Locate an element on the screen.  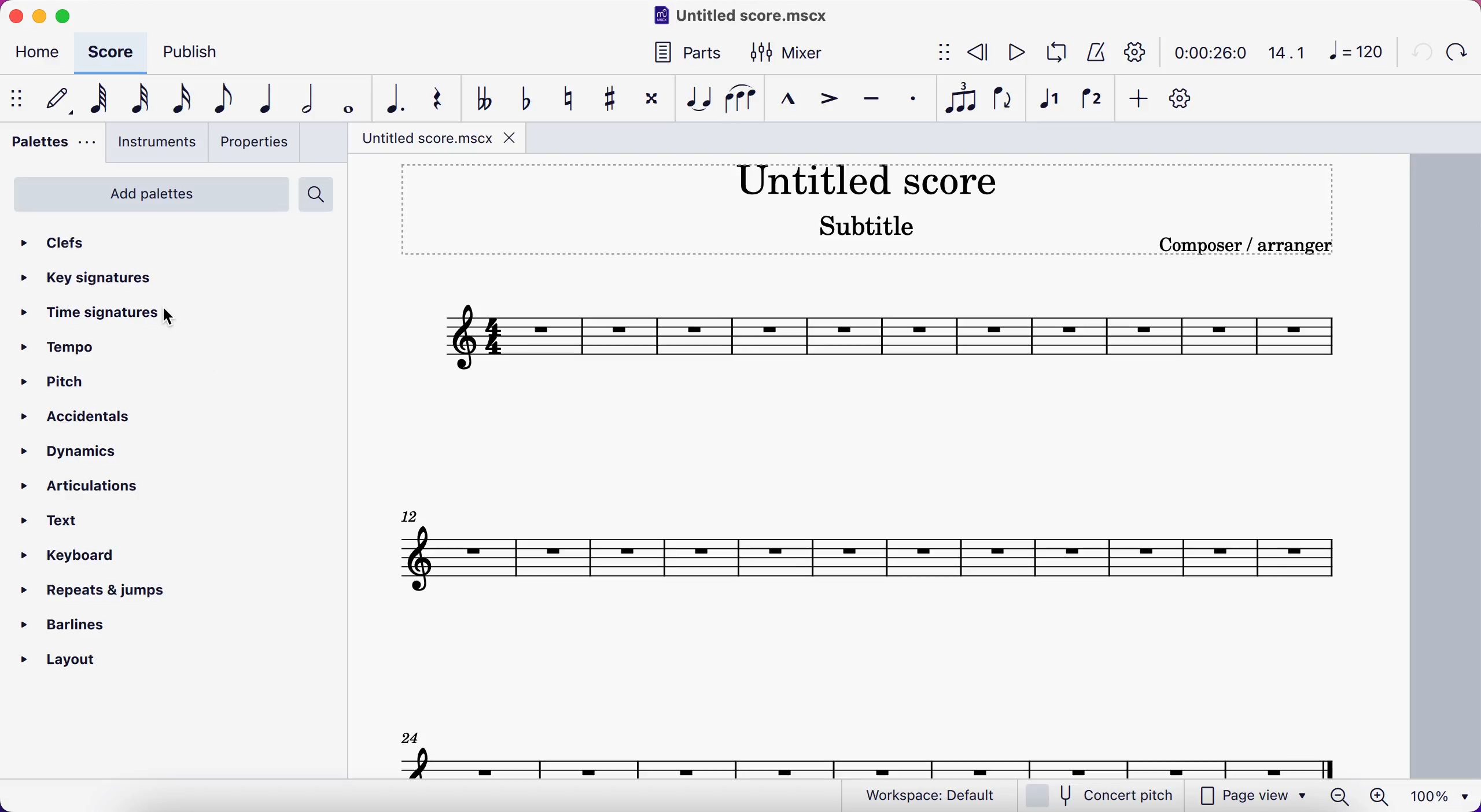
rewind is located at coordinates (973, 54).